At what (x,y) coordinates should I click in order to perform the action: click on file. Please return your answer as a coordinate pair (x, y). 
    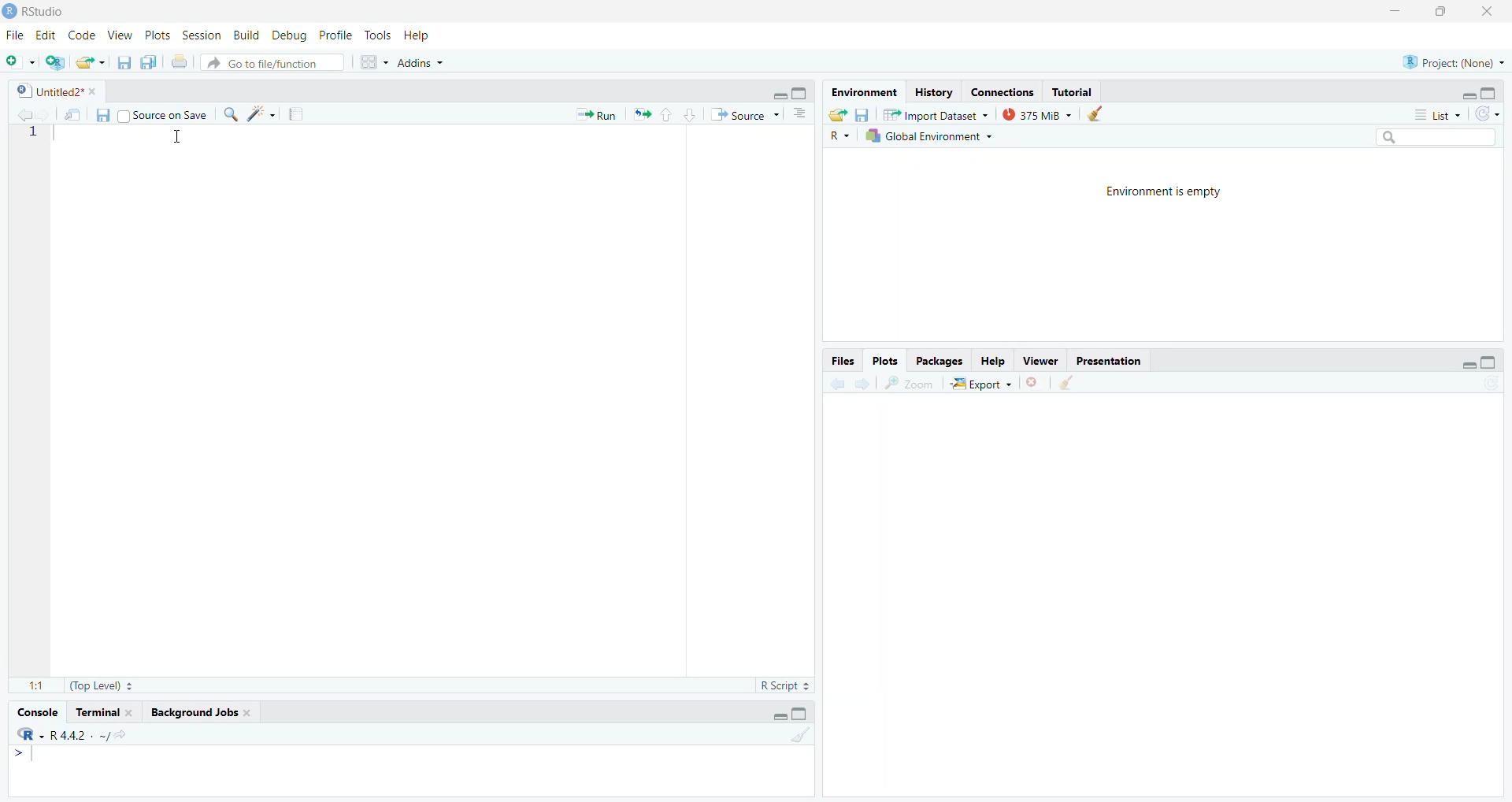
    Looking at the image, I should click on (13, 33).